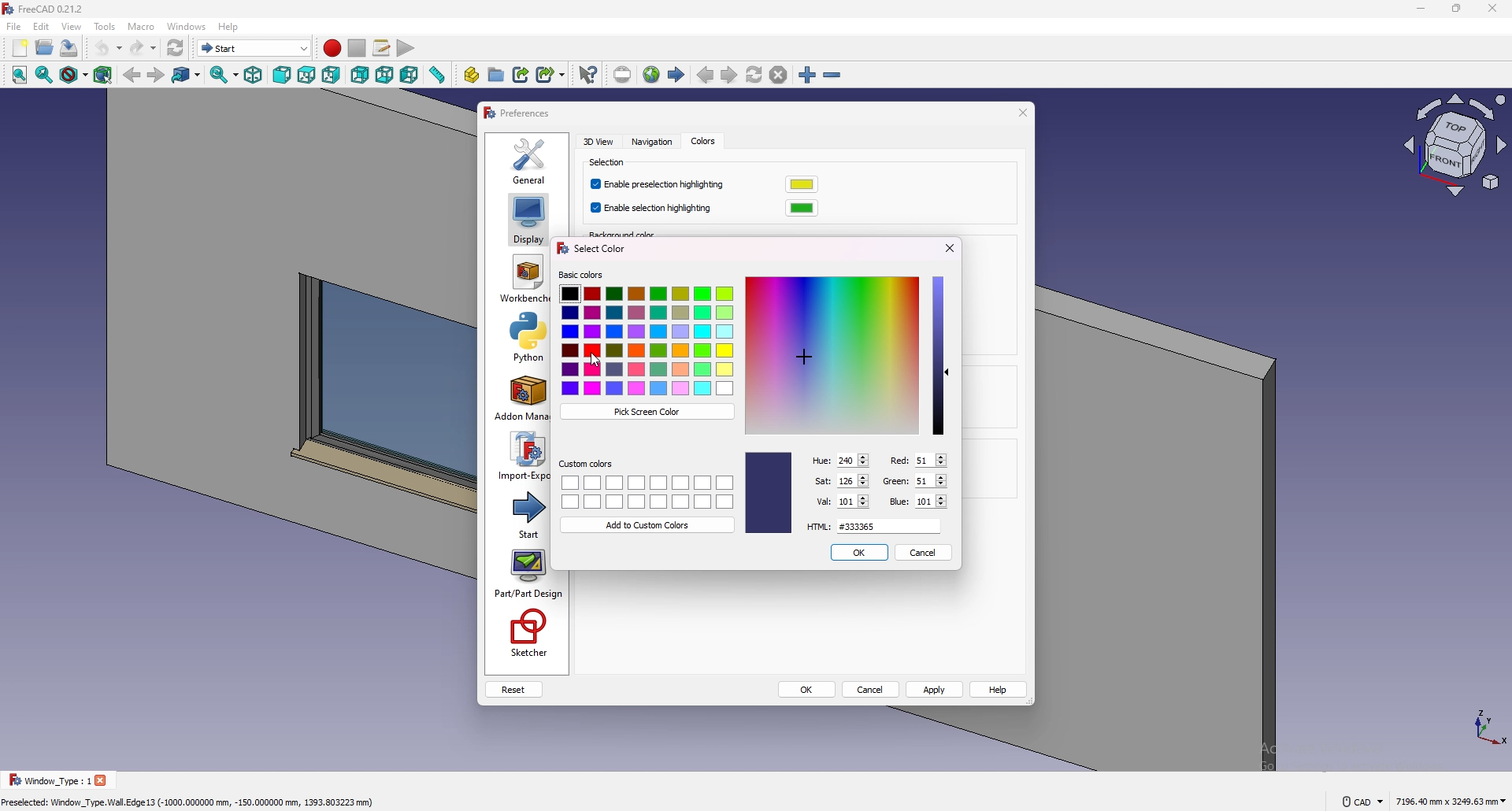 Image resolution: width=1512 pixels, height=811 pixels. I want to click on Green:, so click(894, 482).